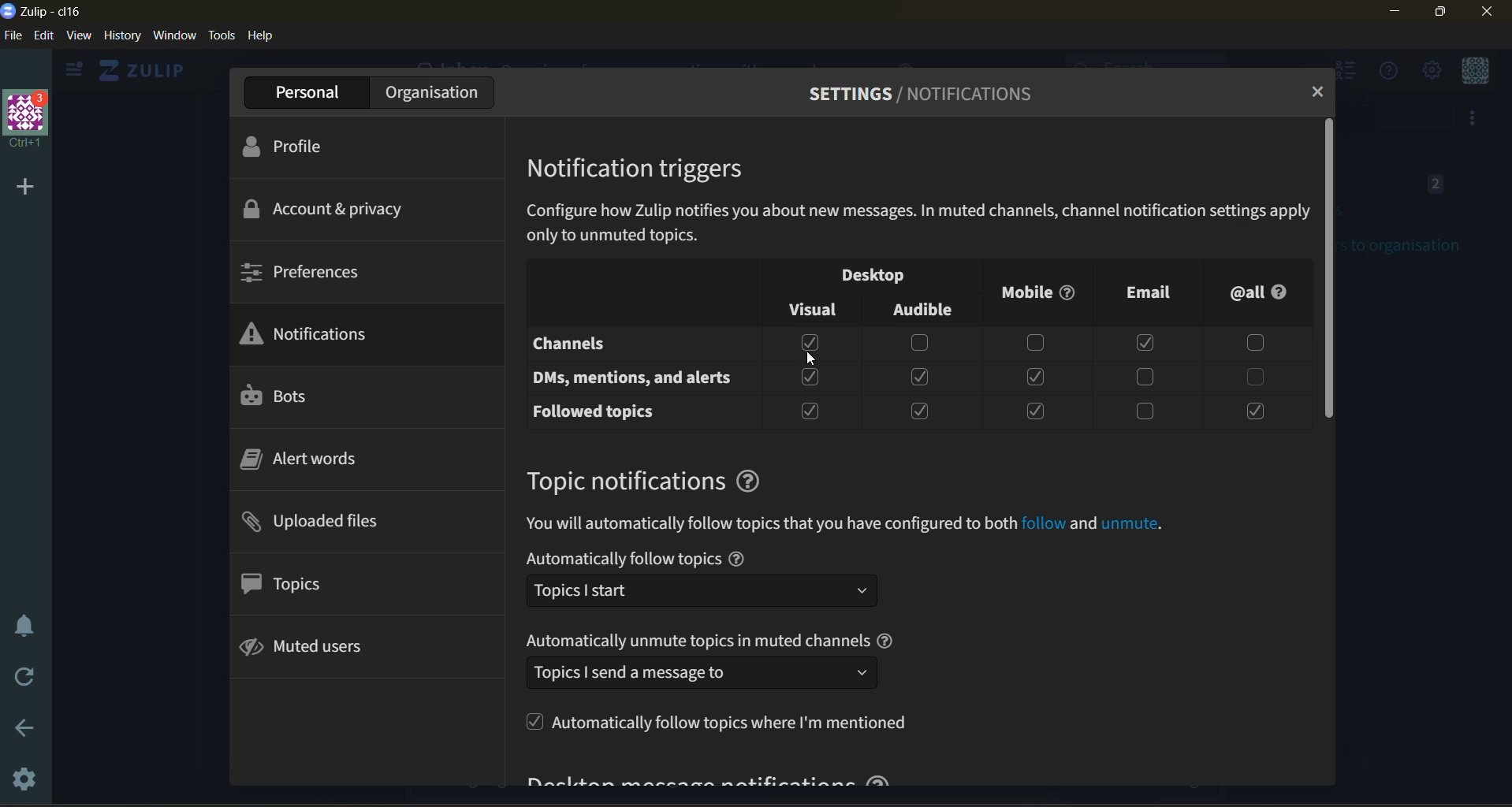  What do you see at coordinates (917, 223) in the screenshot?
I see `Descriptions ` at bounding box center [917, 223].